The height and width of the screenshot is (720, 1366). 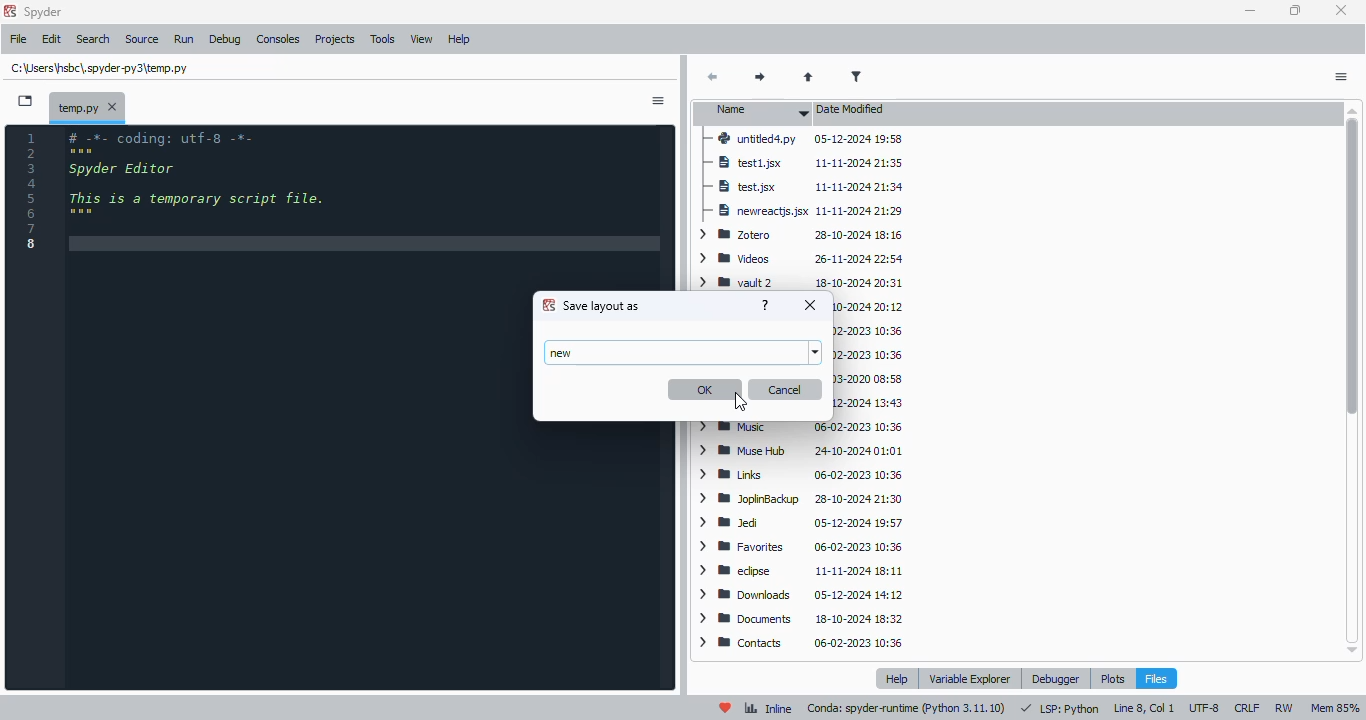 What do you see at coordinates (52, 40) in the screenshot?
I see `edit` at bounding box center [52, 40].